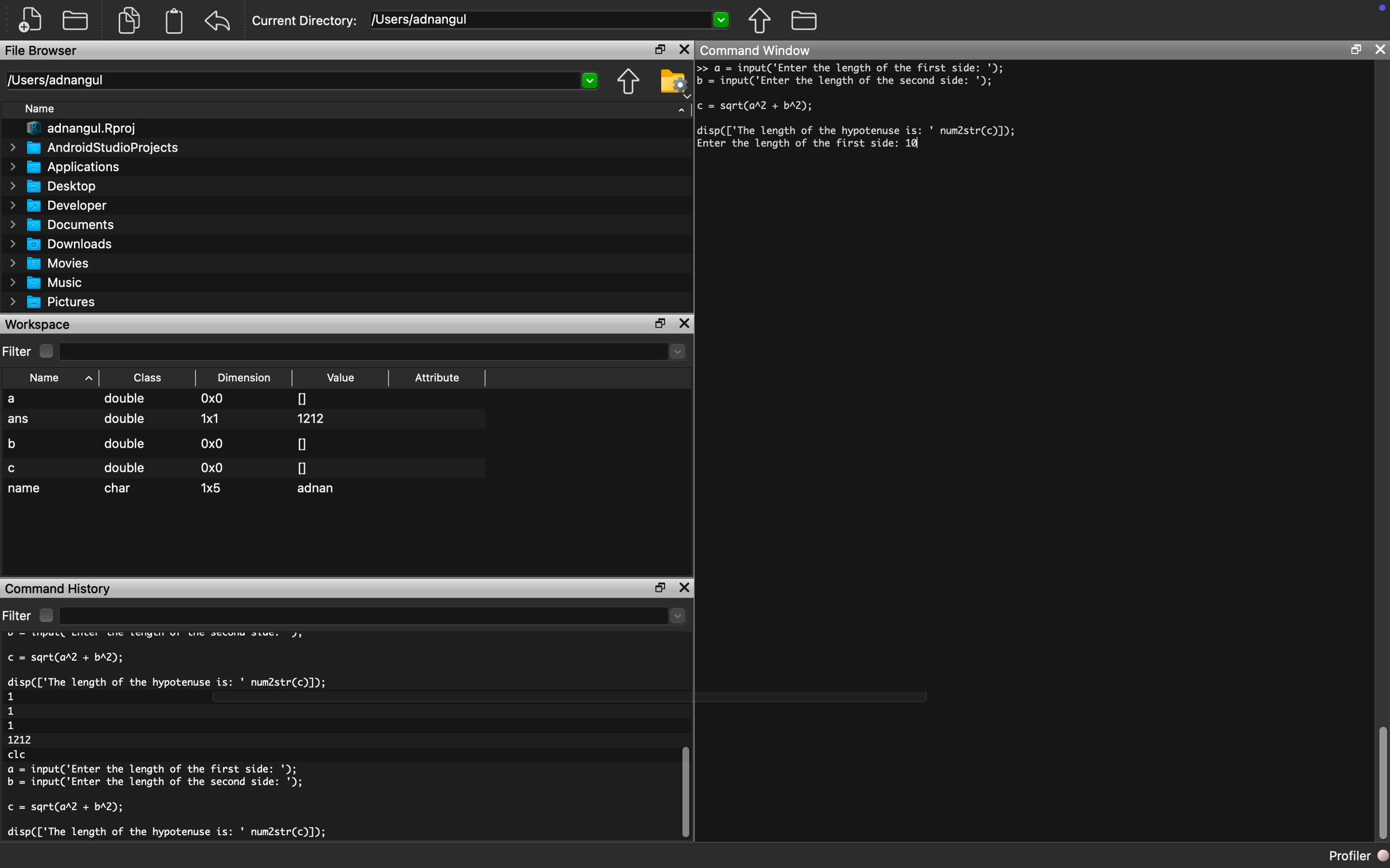 This screenshot has width=1390, height=868. I want to click on document clipboard, so click(172, 22).